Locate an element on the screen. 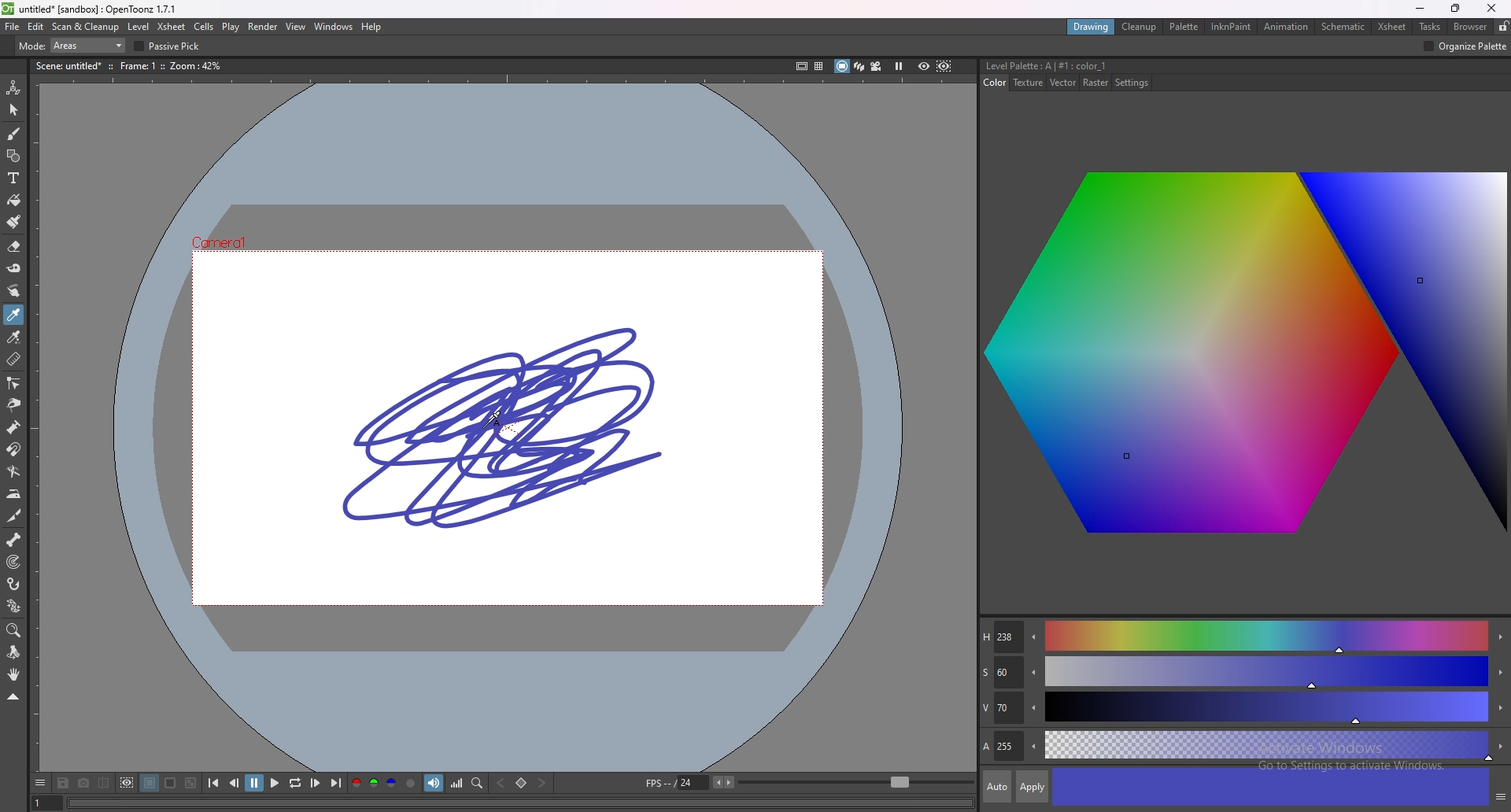 Image resolution: width=1511 pixels, height=812 pixels. sub camera preview is located at coordinates (944, 66).